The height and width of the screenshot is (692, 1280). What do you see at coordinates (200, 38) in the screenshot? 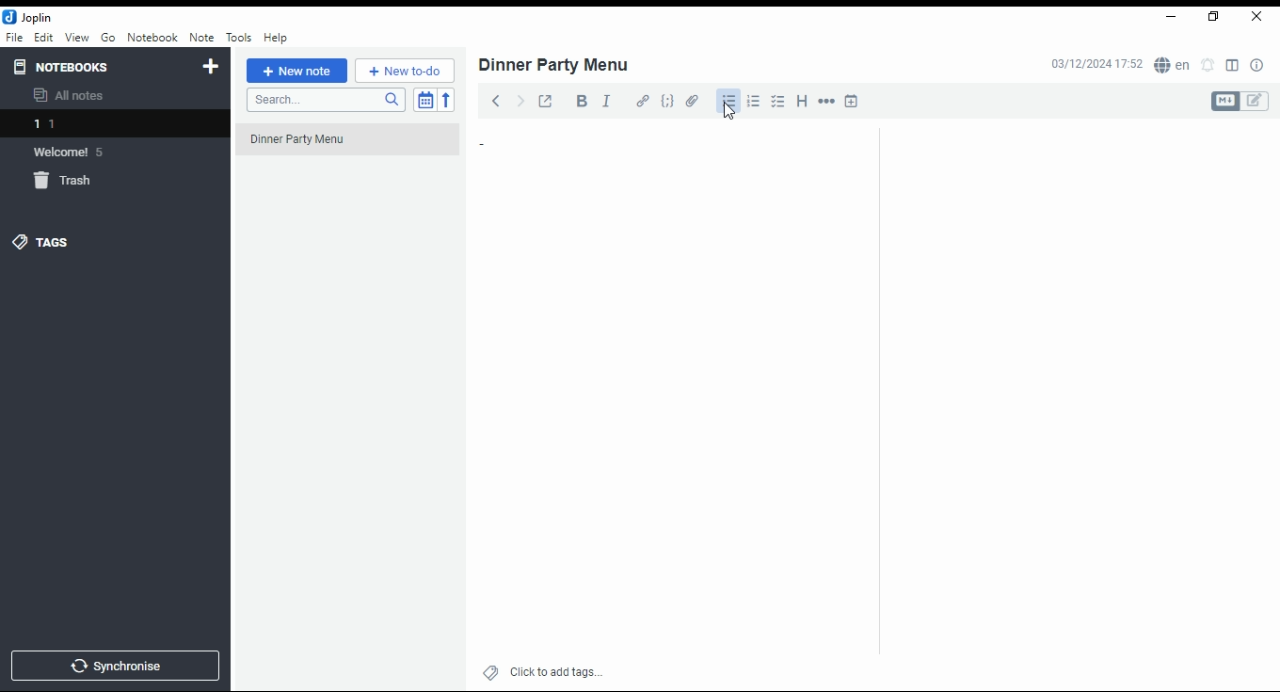
I see `note` at bounding box center [200, 38].